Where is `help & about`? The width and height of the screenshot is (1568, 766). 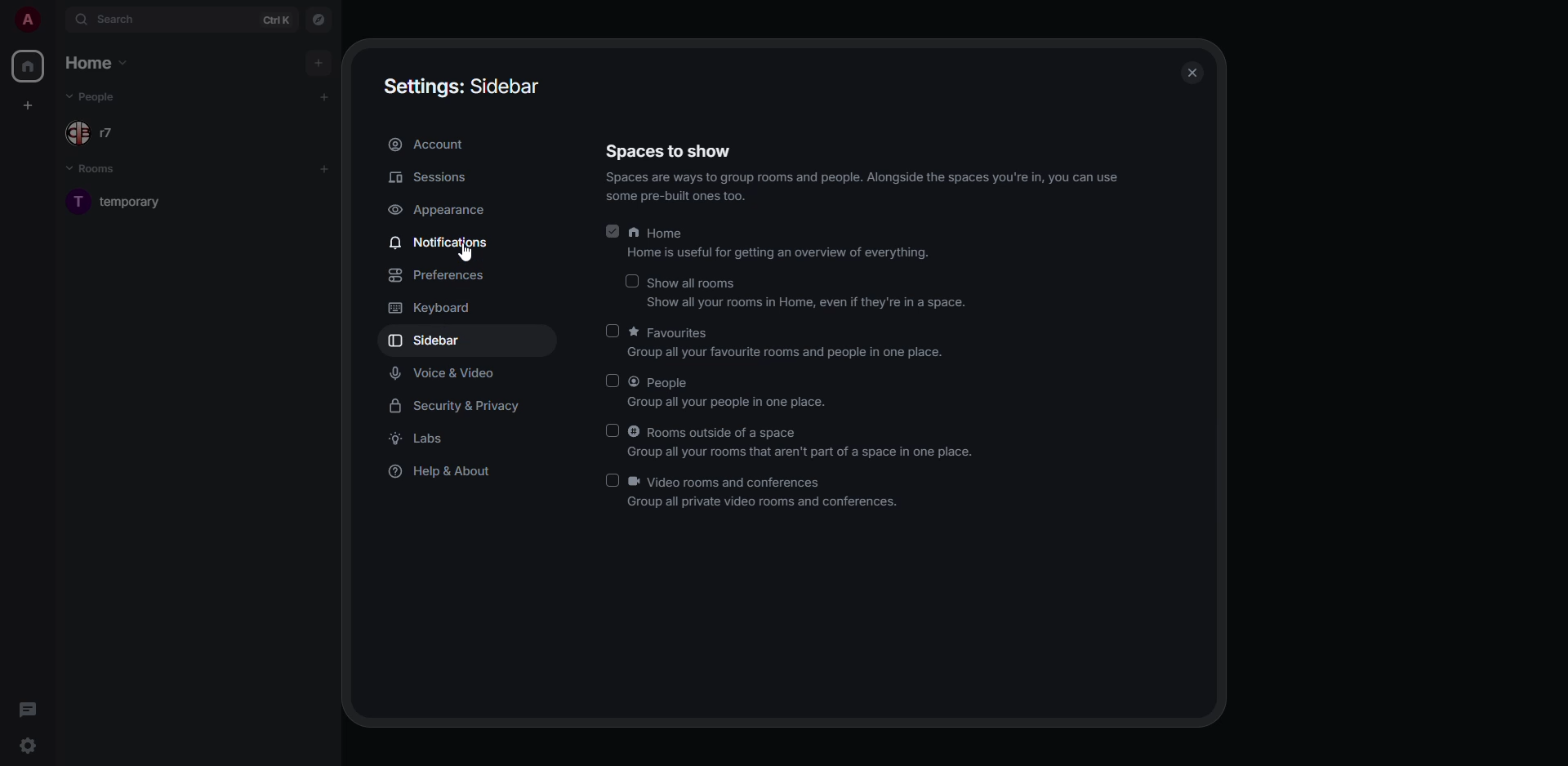
help & about is located at coordinates (443, 473).